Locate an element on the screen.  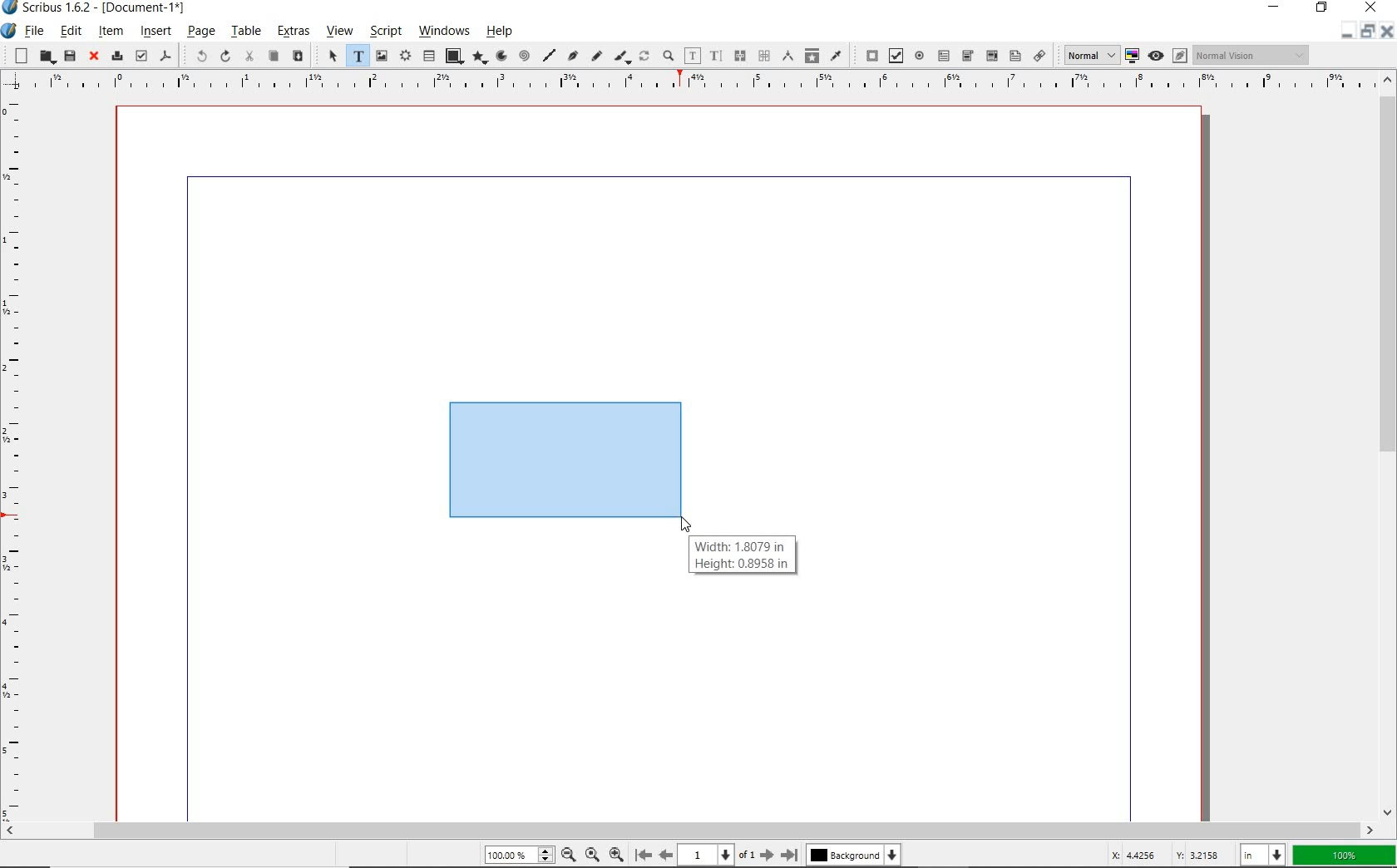
calligraphic line is located at coordinates (623, 57).